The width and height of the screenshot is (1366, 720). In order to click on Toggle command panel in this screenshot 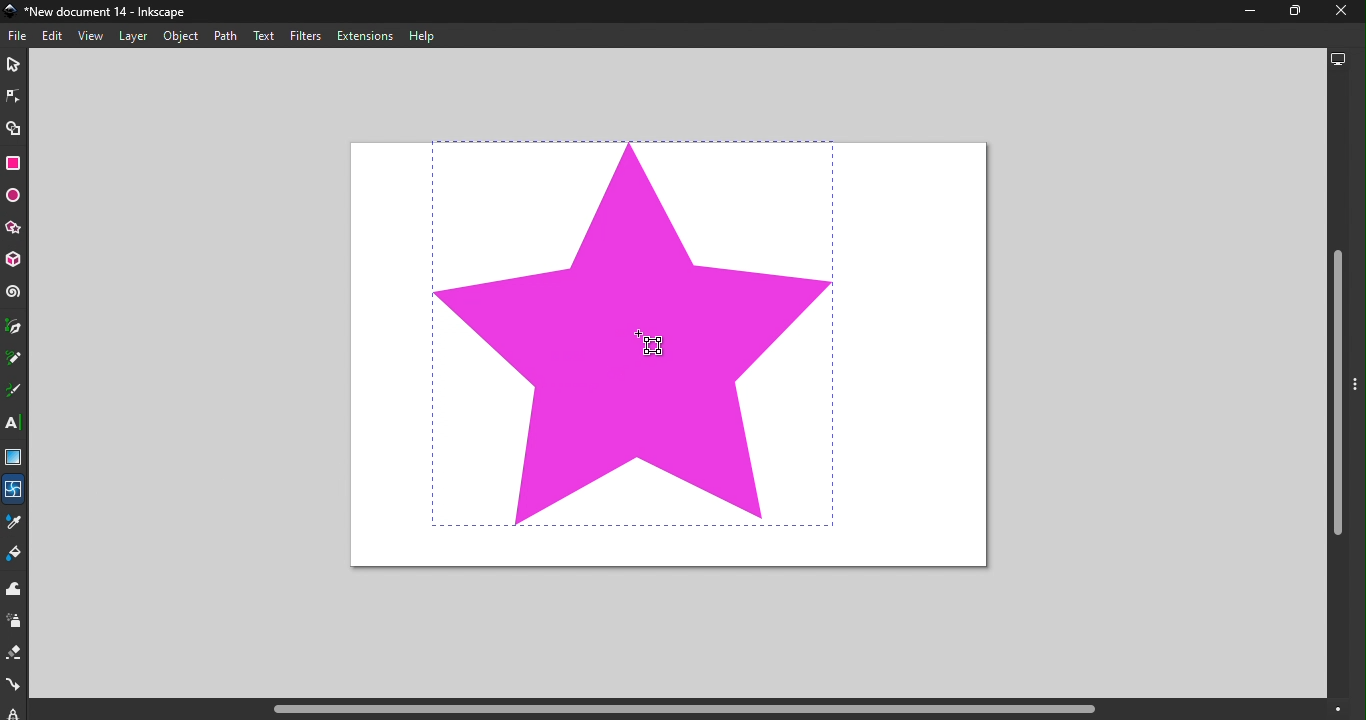, I will do `click(1358, 398)`.